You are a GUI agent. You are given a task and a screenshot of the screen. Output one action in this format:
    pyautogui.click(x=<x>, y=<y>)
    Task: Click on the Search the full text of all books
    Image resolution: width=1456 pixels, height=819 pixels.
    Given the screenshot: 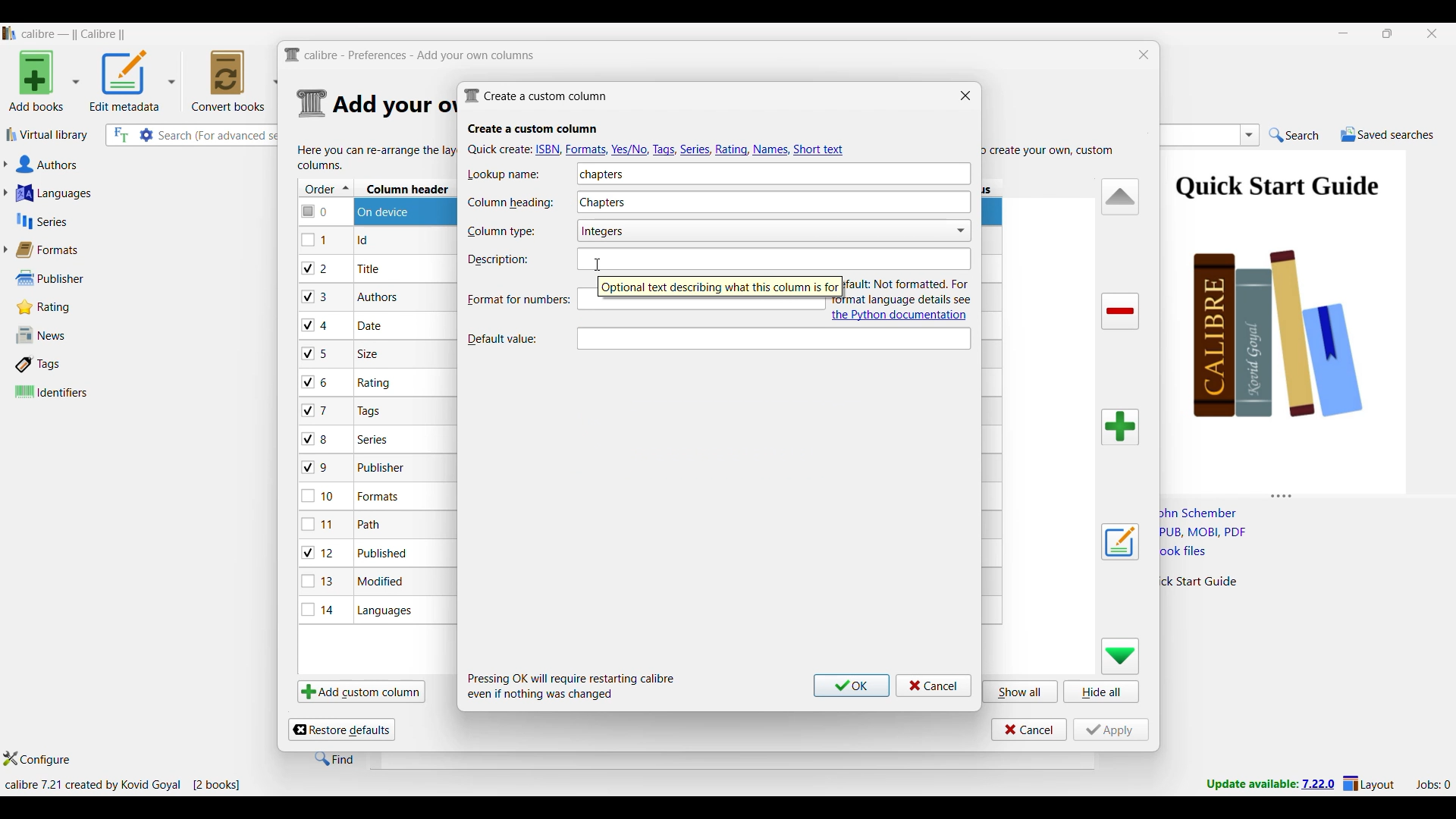 What is the action you would take?
    pyautogui.click(x=120, y=135)
    